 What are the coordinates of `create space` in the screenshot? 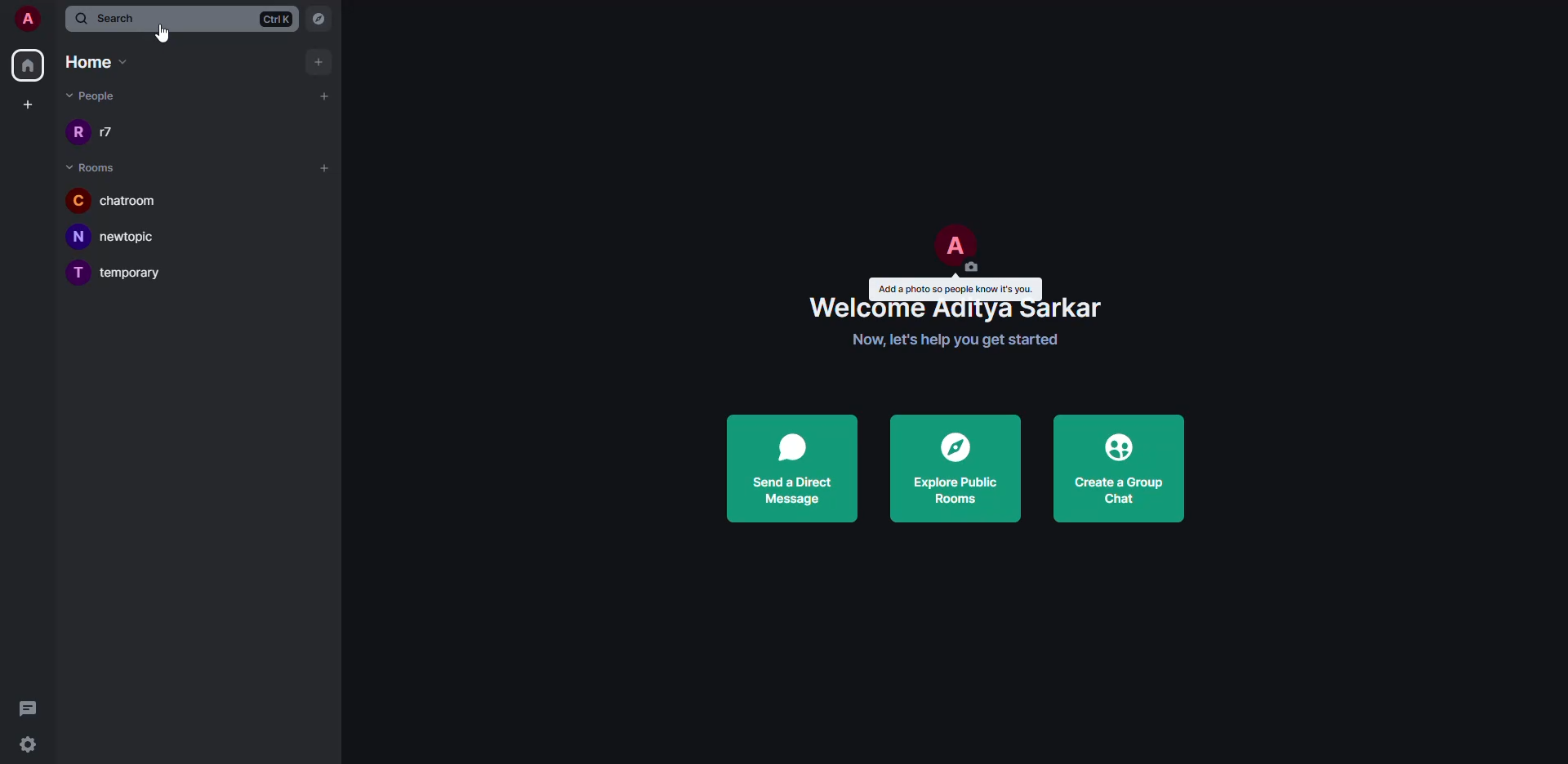 It's located at (25, 104).